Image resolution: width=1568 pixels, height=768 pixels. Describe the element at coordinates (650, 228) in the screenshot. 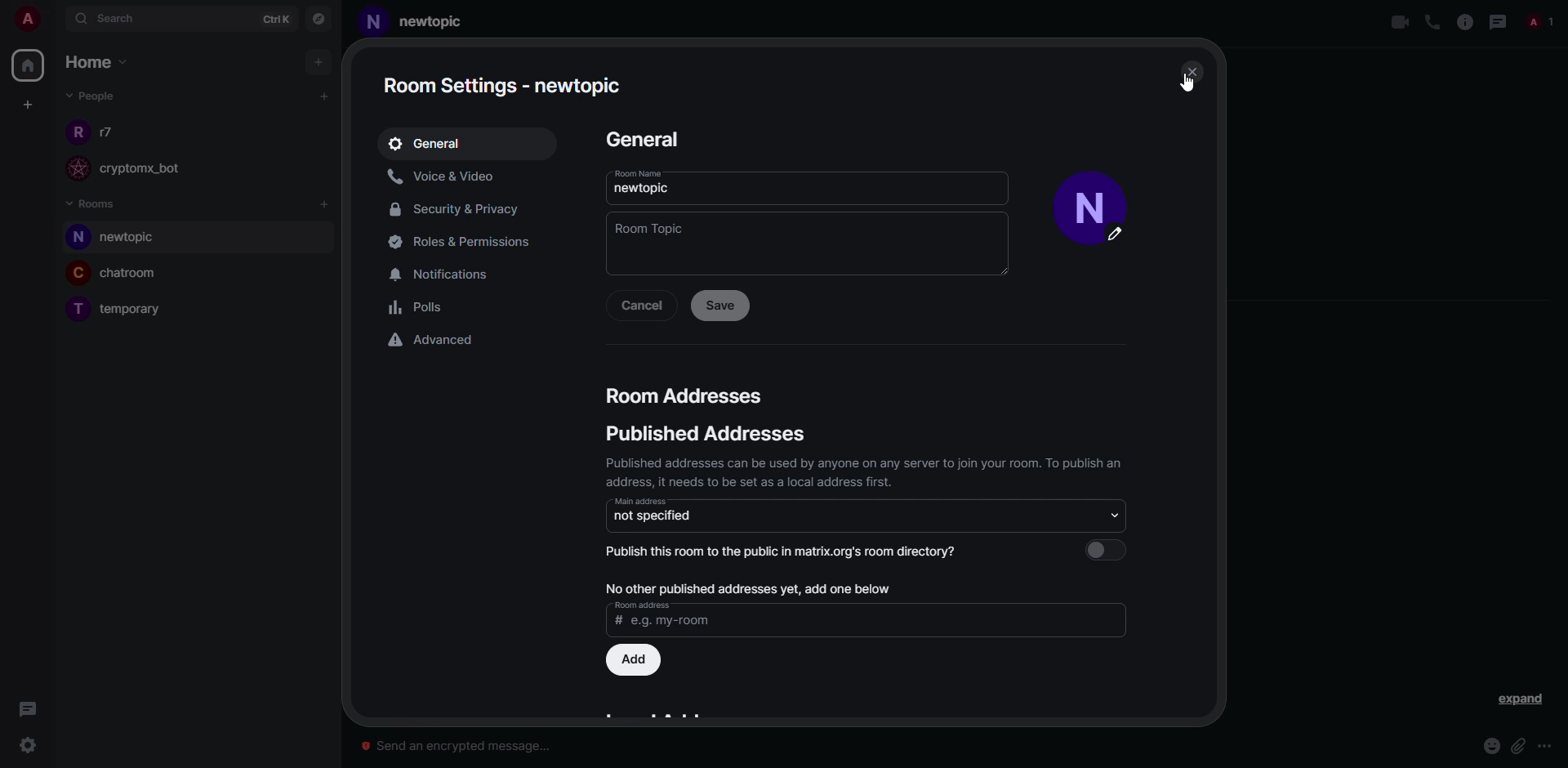

I see `room topic` at that location.